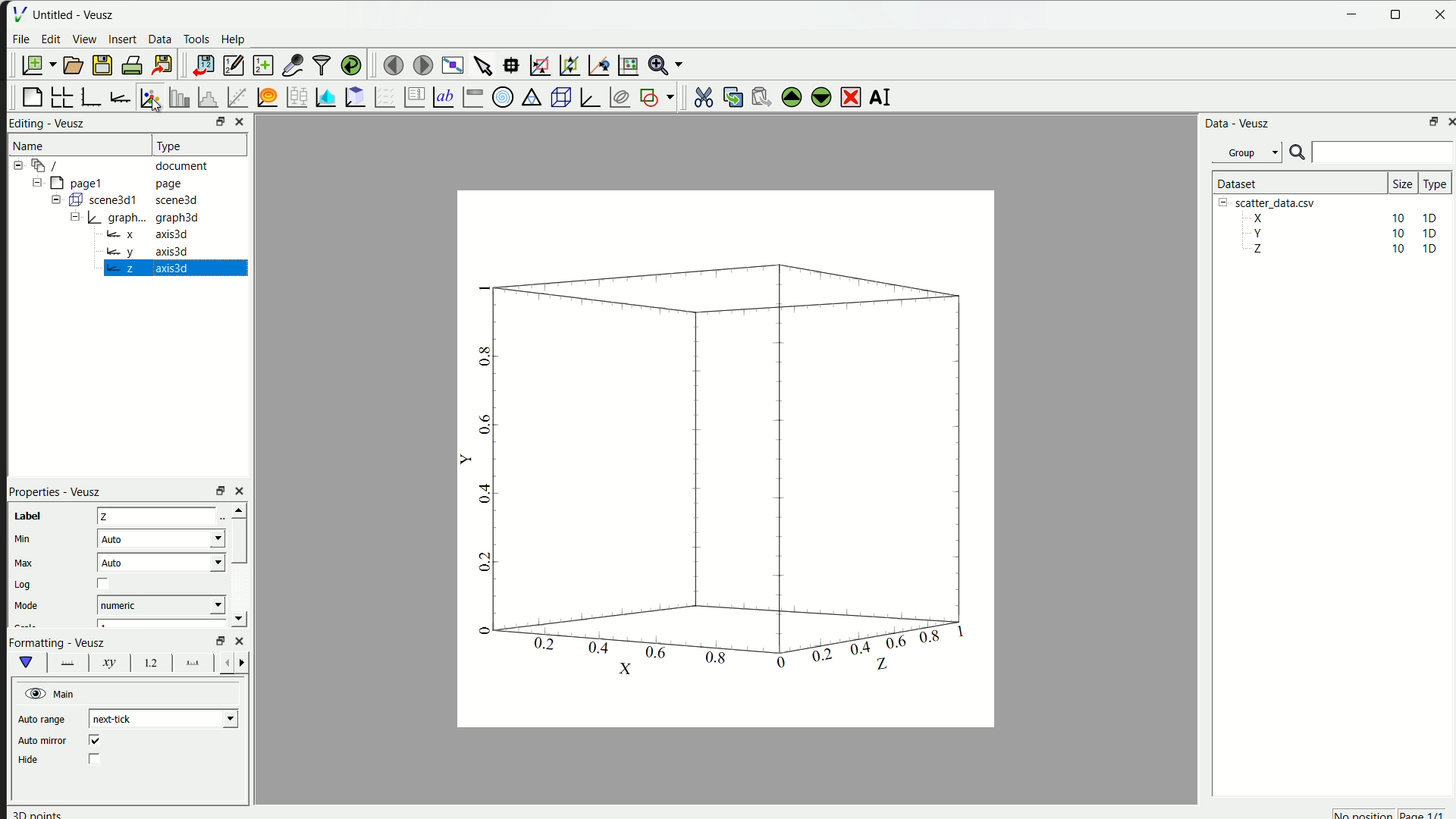  What do you see at coordinates (1432, 184) in the screenshot?
I see `| Type` at bounding box center [1432, 184].